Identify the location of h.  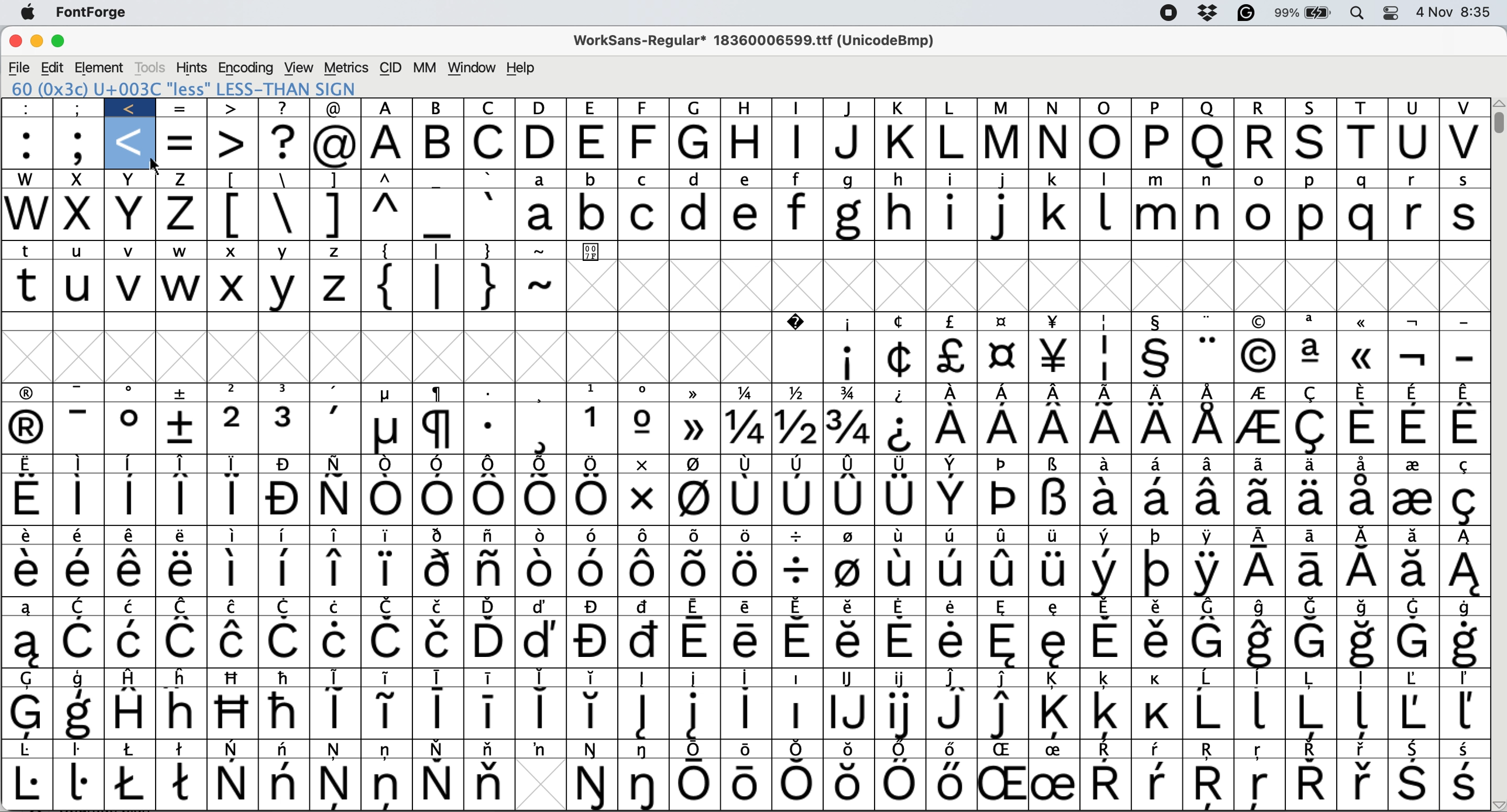
(903, 177).